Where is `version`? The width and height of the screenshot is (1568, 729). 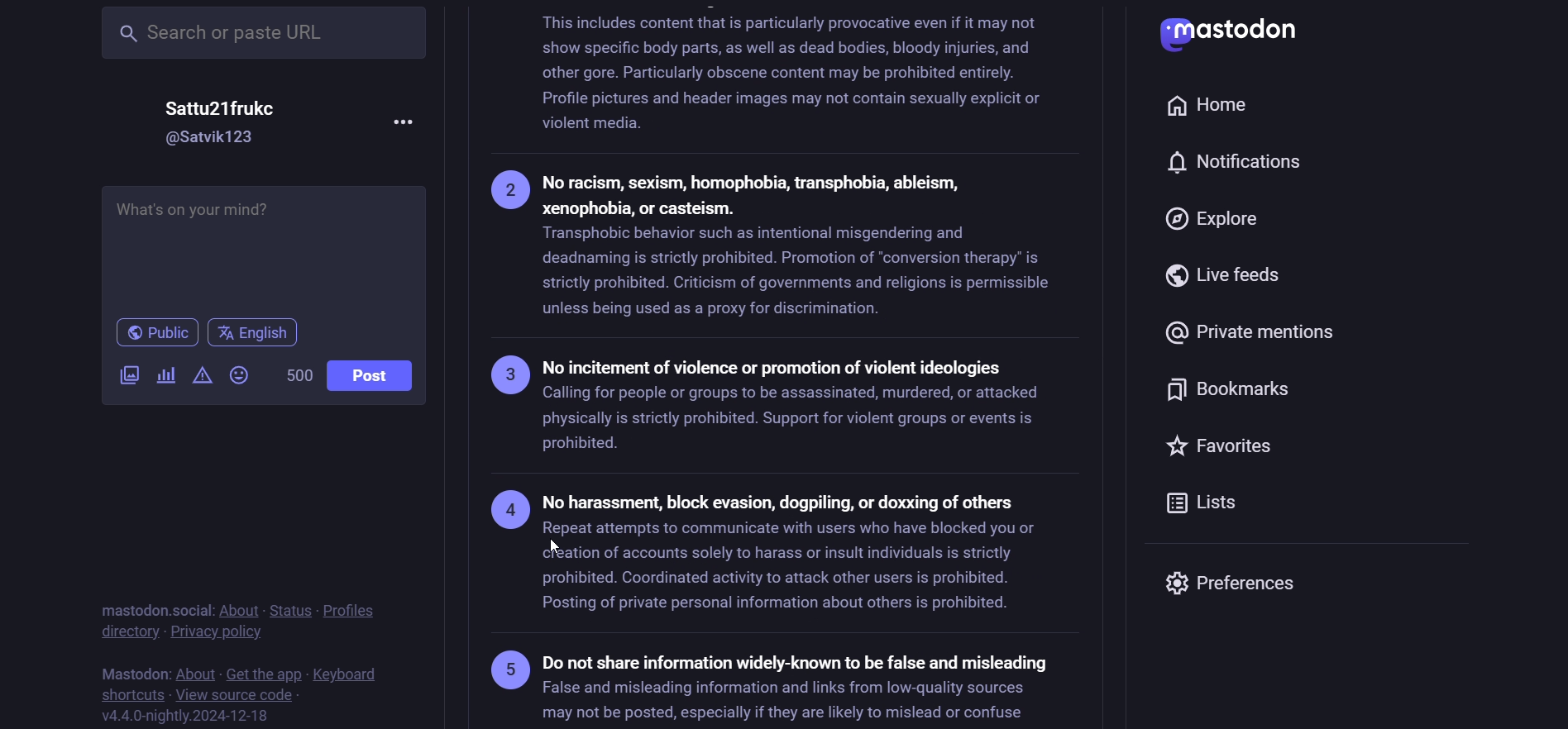 version is located at coordinates (188, 715).